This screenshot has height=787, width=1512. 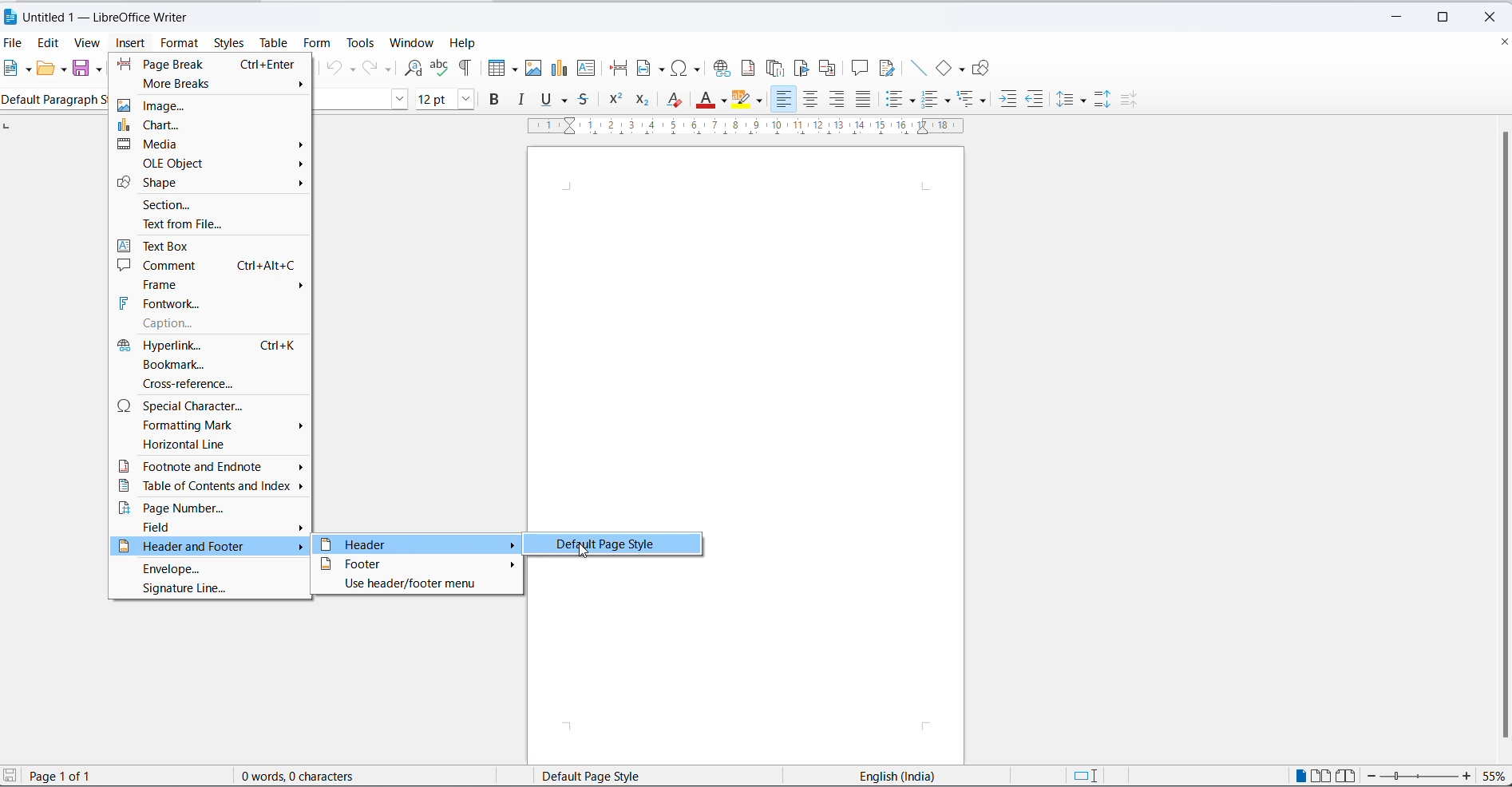 I want to click on maximize, so click(x=1449, y=14).